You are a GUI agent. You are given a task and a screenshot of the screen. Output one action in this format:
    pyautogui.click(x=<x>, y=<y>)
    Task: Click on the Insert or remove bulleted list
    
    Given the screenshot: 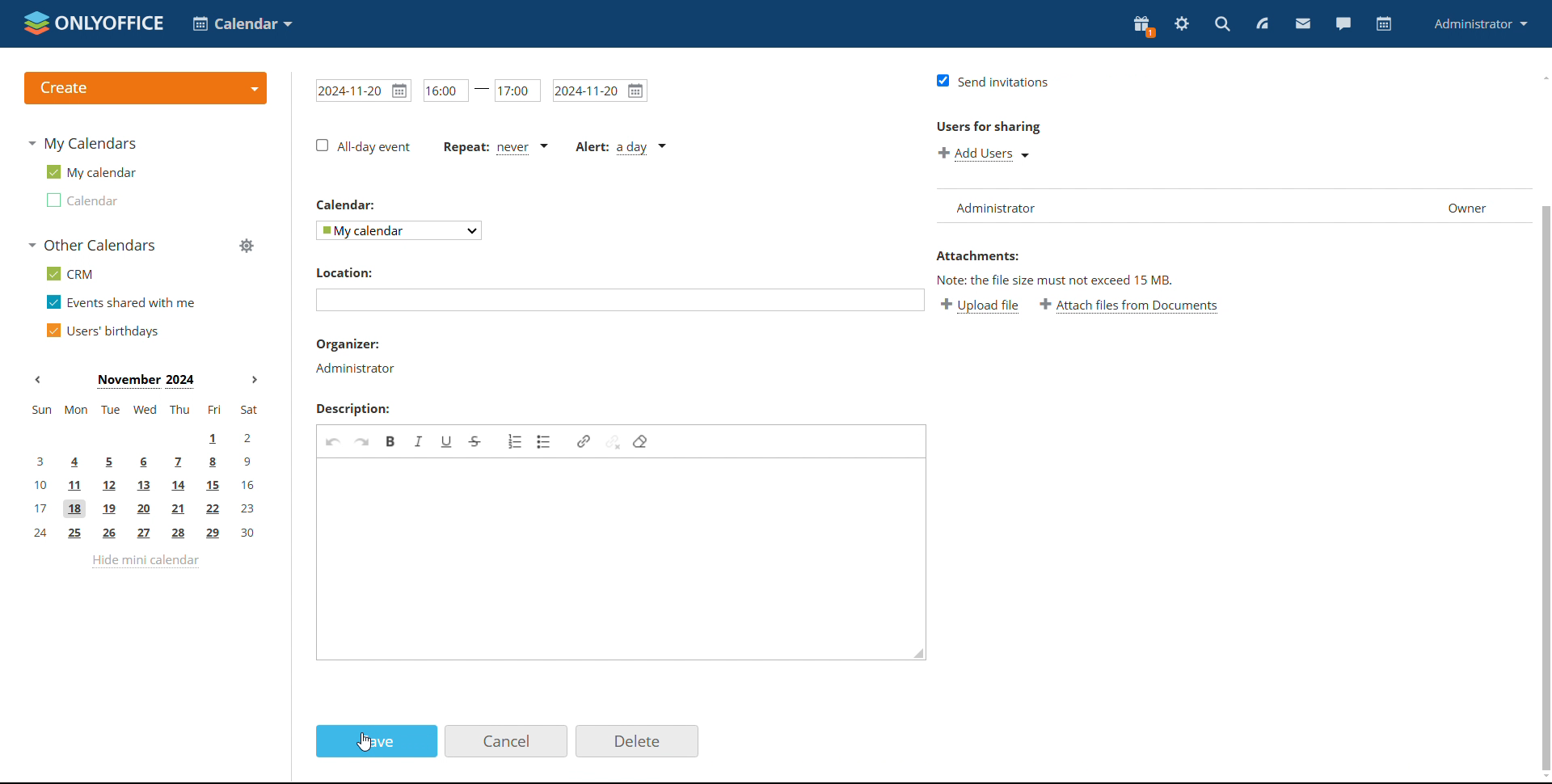 What is the action you would take?
    pyautogui.click(x=545, y=441)
    